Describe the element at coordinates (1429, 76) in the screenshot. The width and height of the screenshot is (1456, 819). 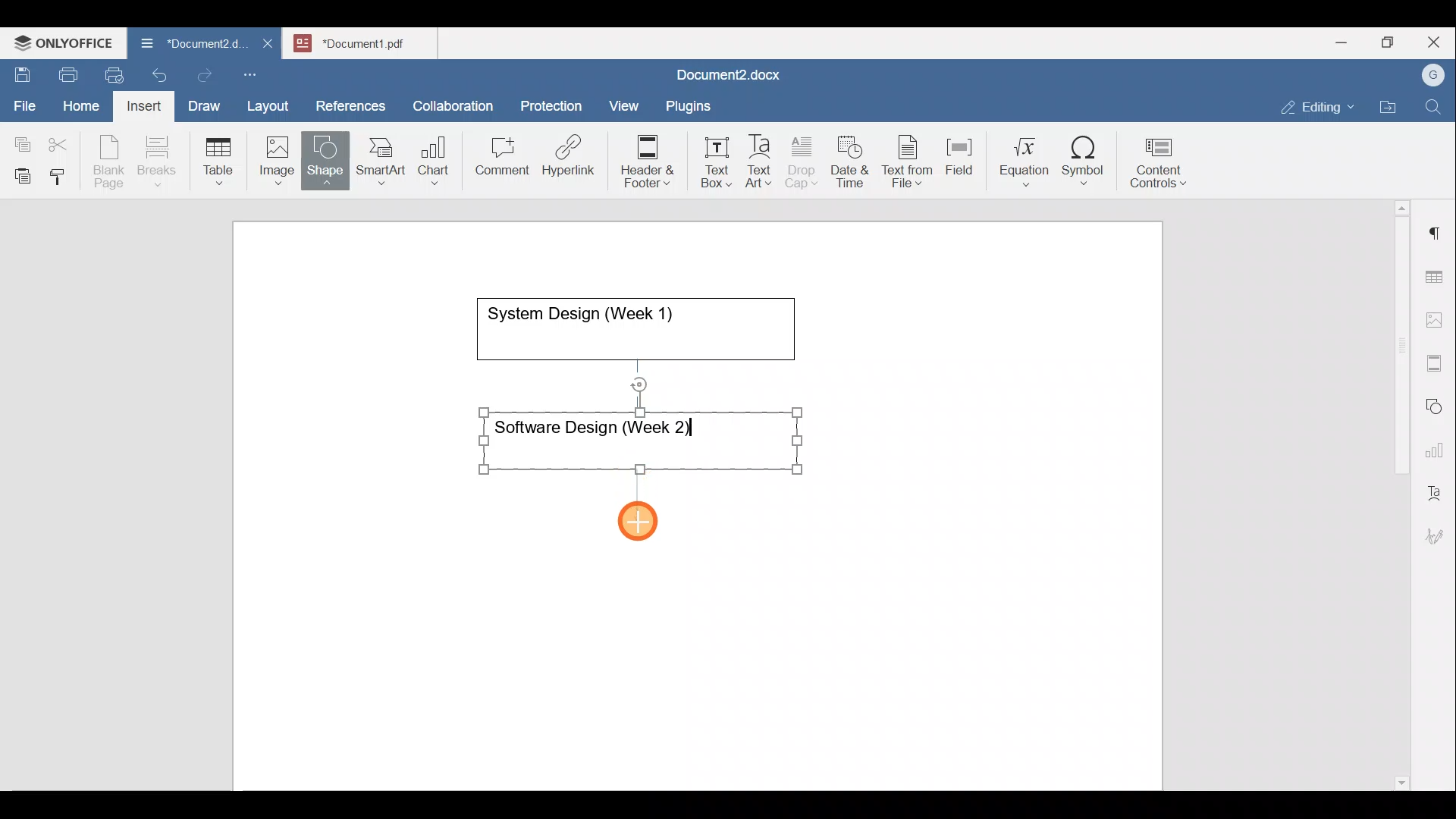
I see `Account name` at that location.